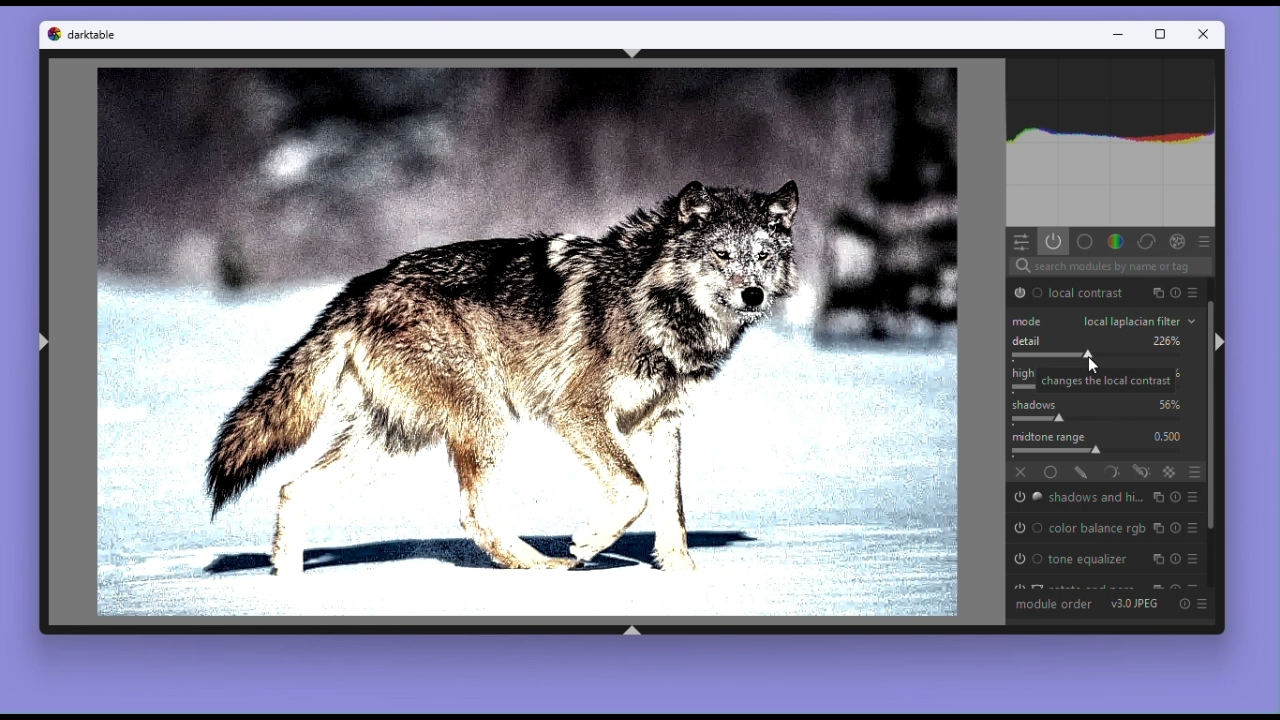 This screenshot has height=720, width=1280. What do you see at coordinates (1219, 342) in the screenshot?
I see `shift+ctrl+r` at bounding box center [1219, 342].